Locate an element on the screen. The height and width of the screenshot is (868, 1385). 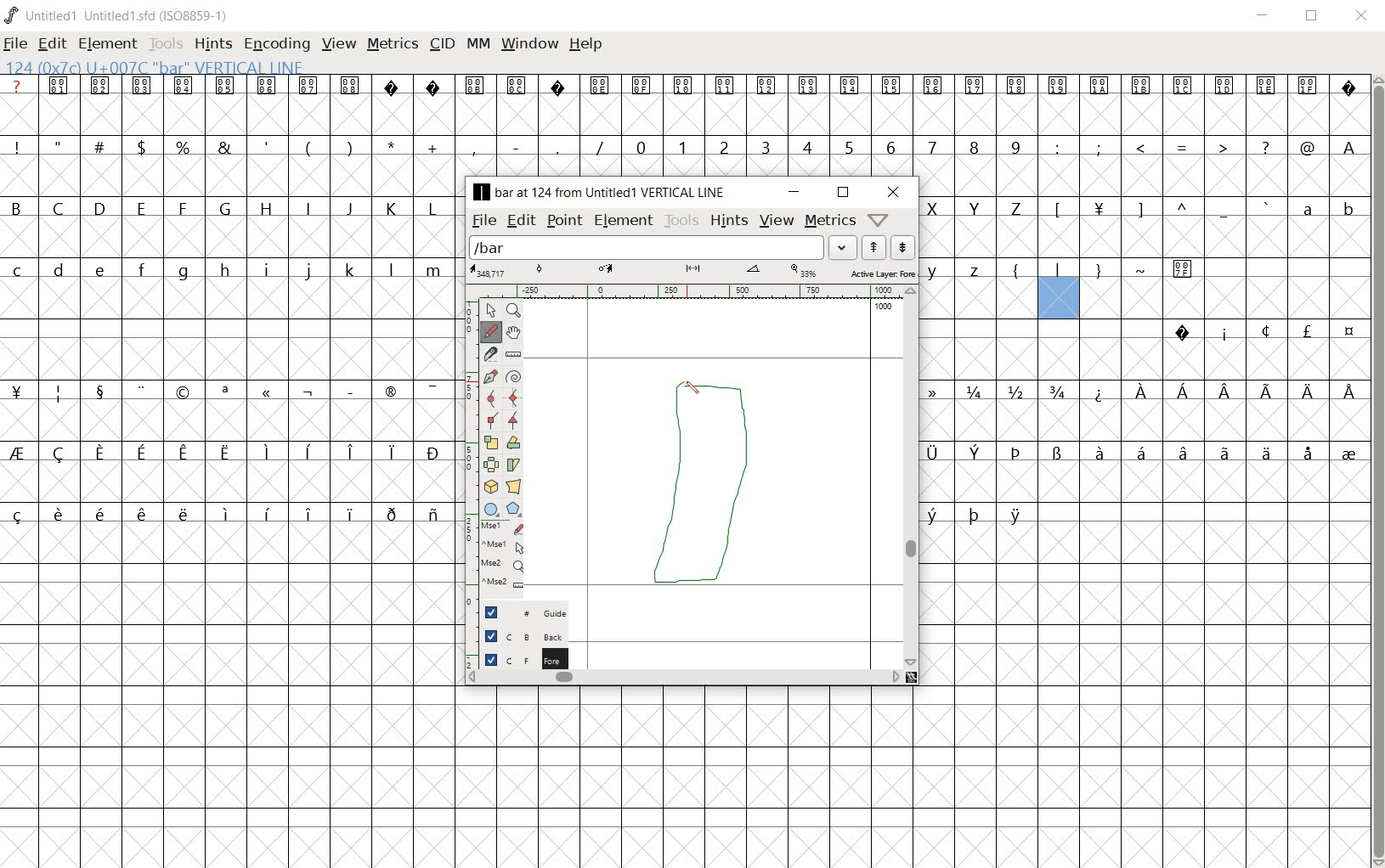
point is located at coordinates (564, 219).